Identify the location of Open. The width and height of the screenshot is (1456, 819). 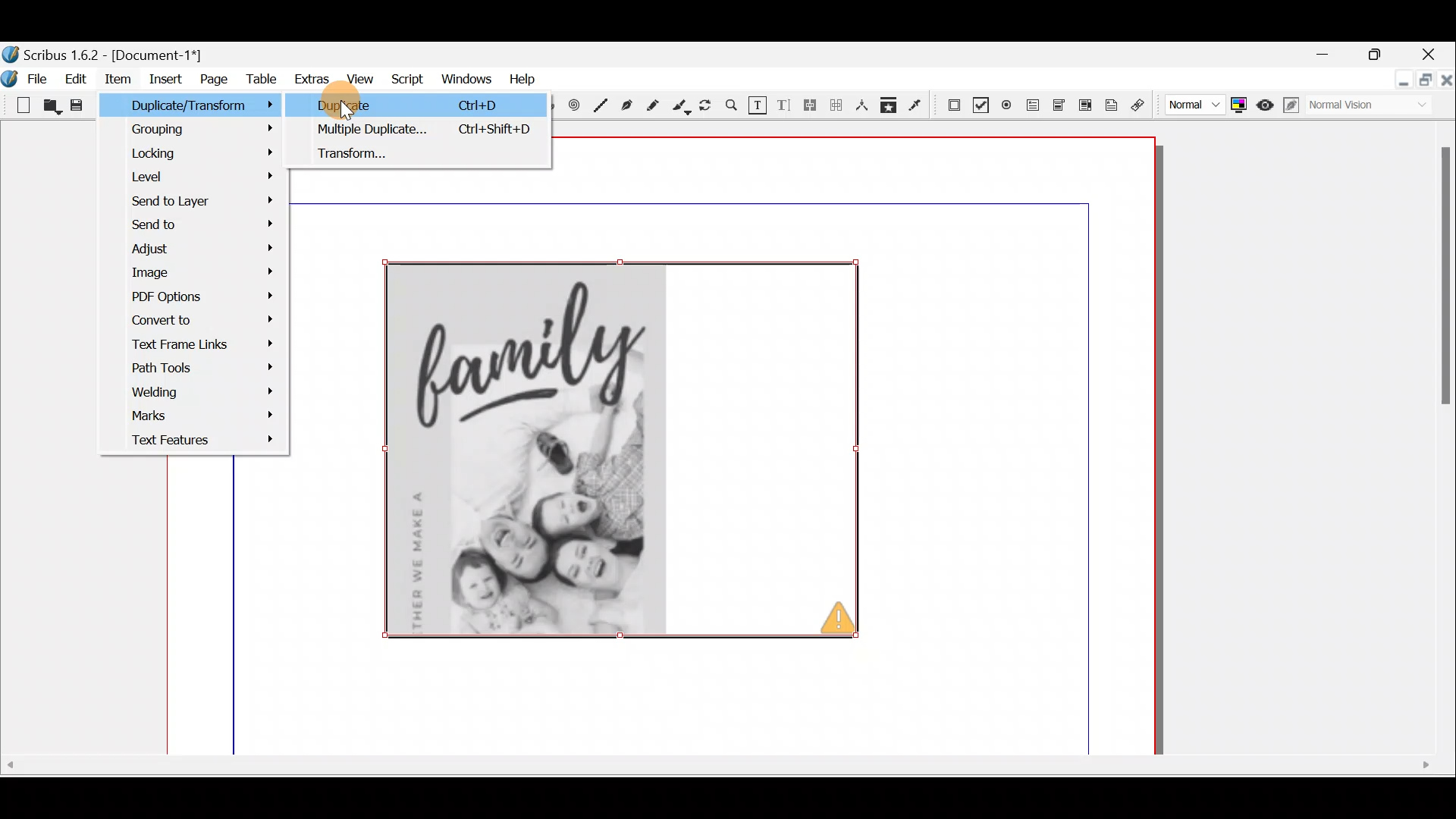
(52, 108).